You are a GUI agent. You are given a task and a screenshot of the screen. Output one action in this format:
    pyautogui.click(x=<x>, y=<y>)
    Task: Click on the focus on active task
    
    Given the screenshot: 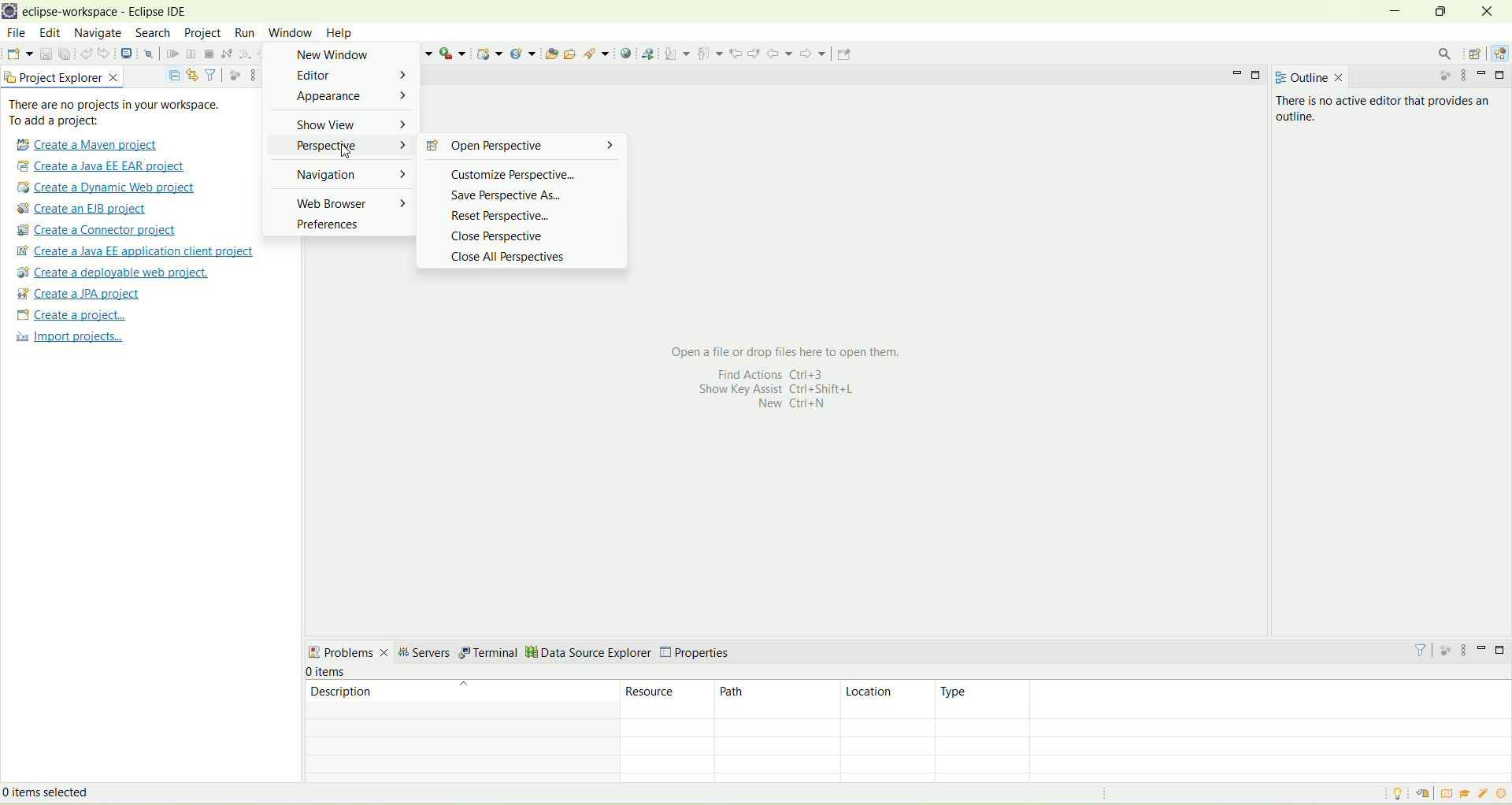 What is the action you would take?
    pyautogui.click(x=1443, y=79)
    